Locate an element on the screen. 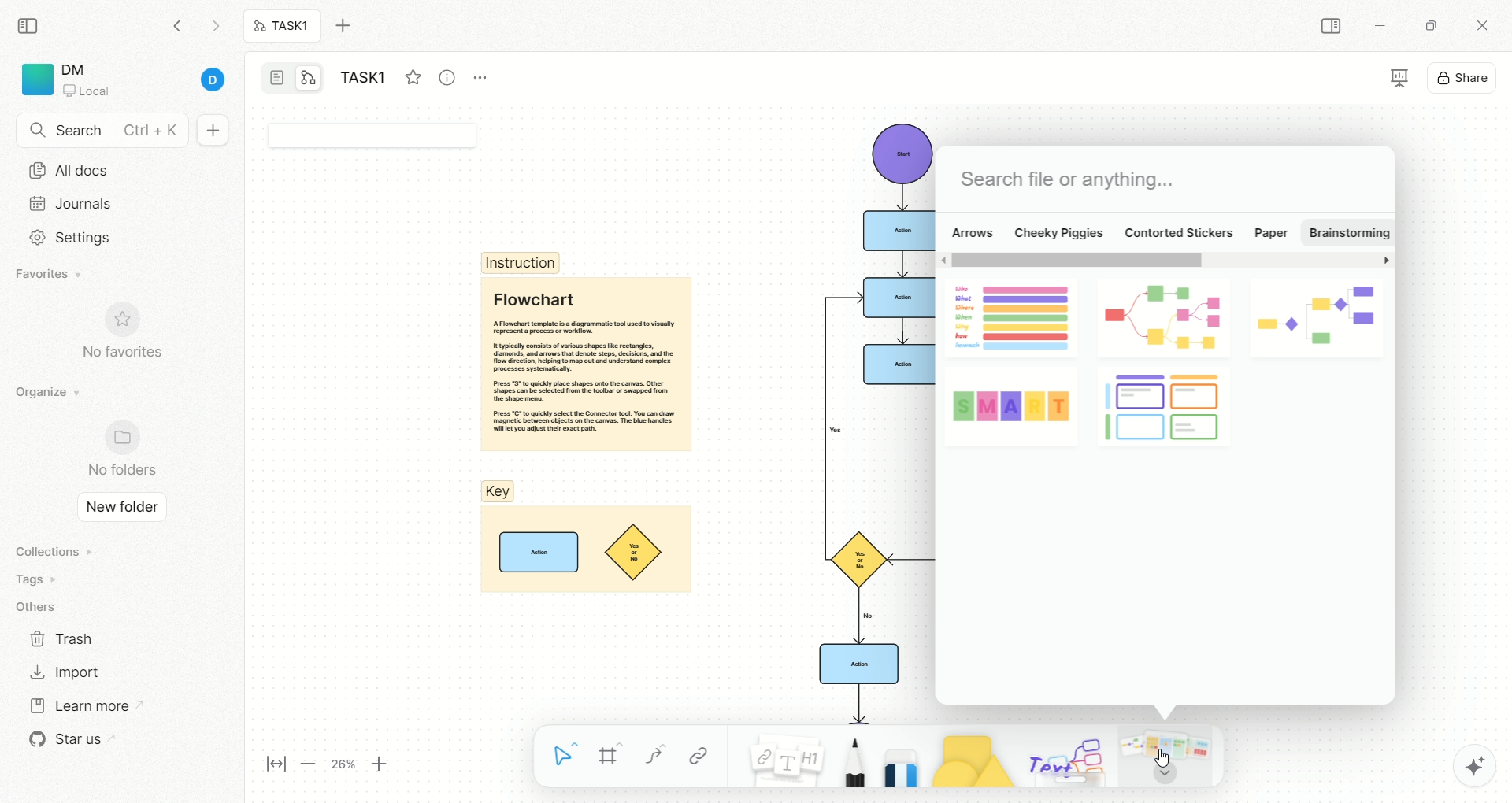 This screenshot has width=1512, height=803. journals is located at coordinates (74, 203).